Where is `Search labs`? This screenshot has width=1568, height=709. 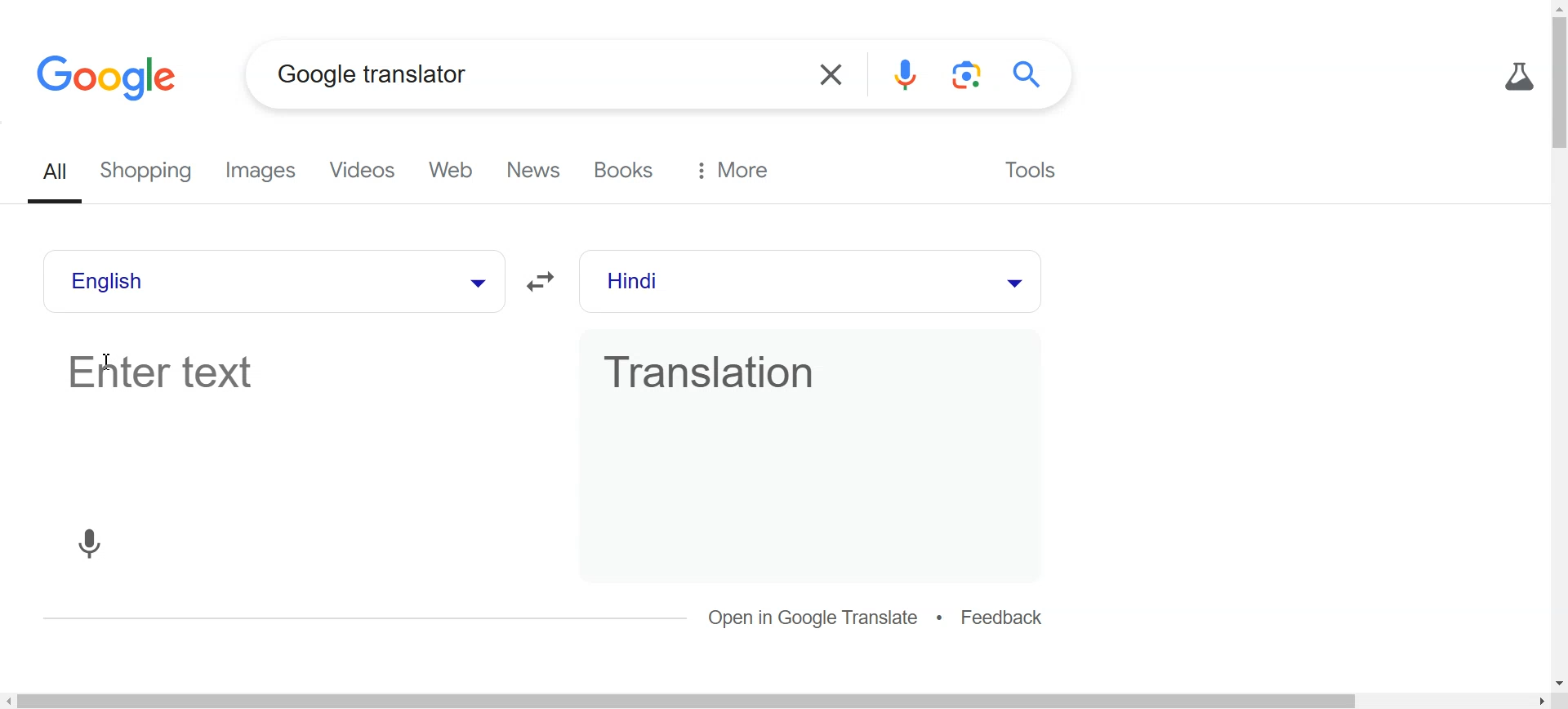 Search labs is located at coordinates (1516, 77).